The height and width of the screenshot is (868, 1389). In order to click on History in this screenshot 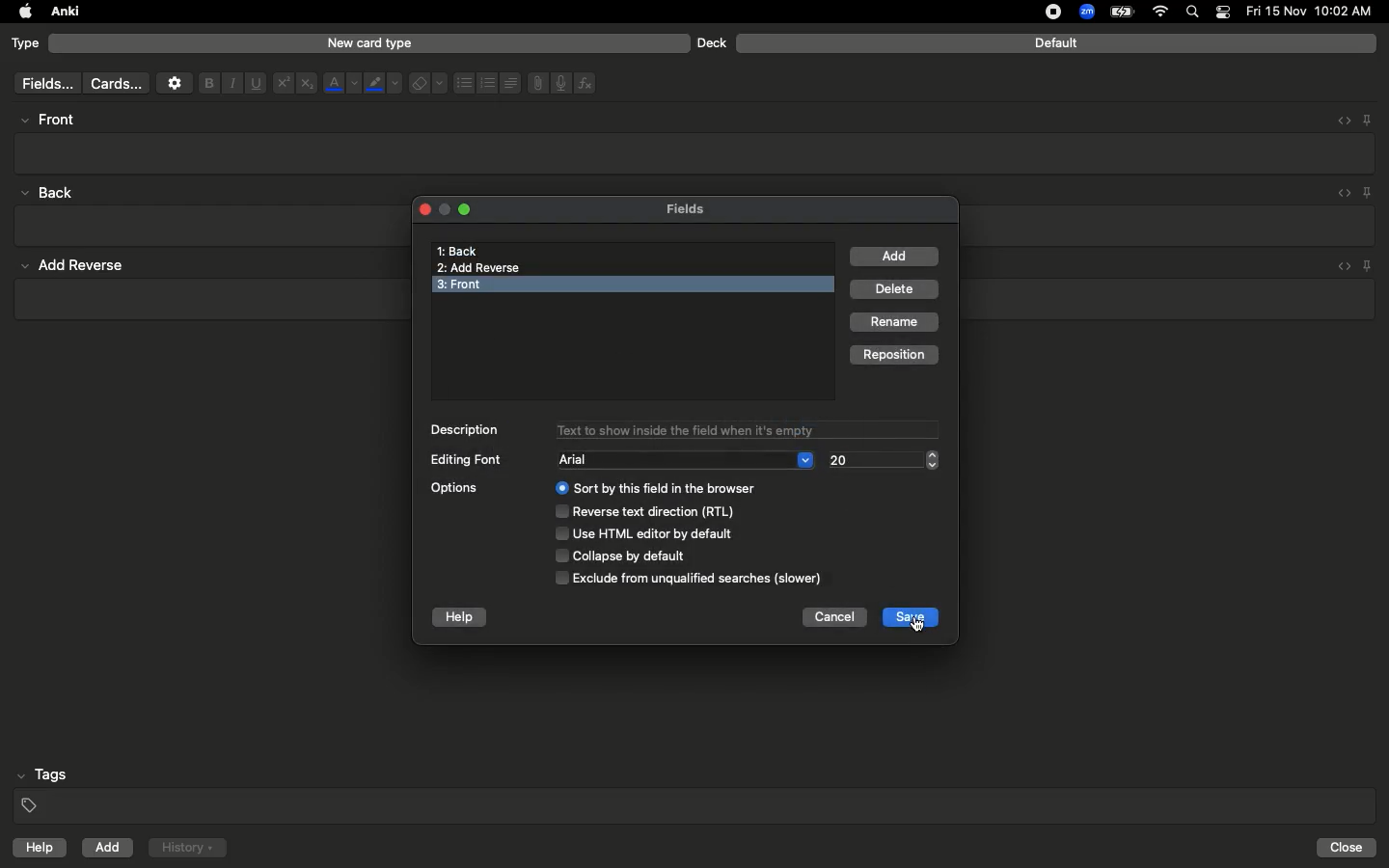, I will do `click(187, 848)`.